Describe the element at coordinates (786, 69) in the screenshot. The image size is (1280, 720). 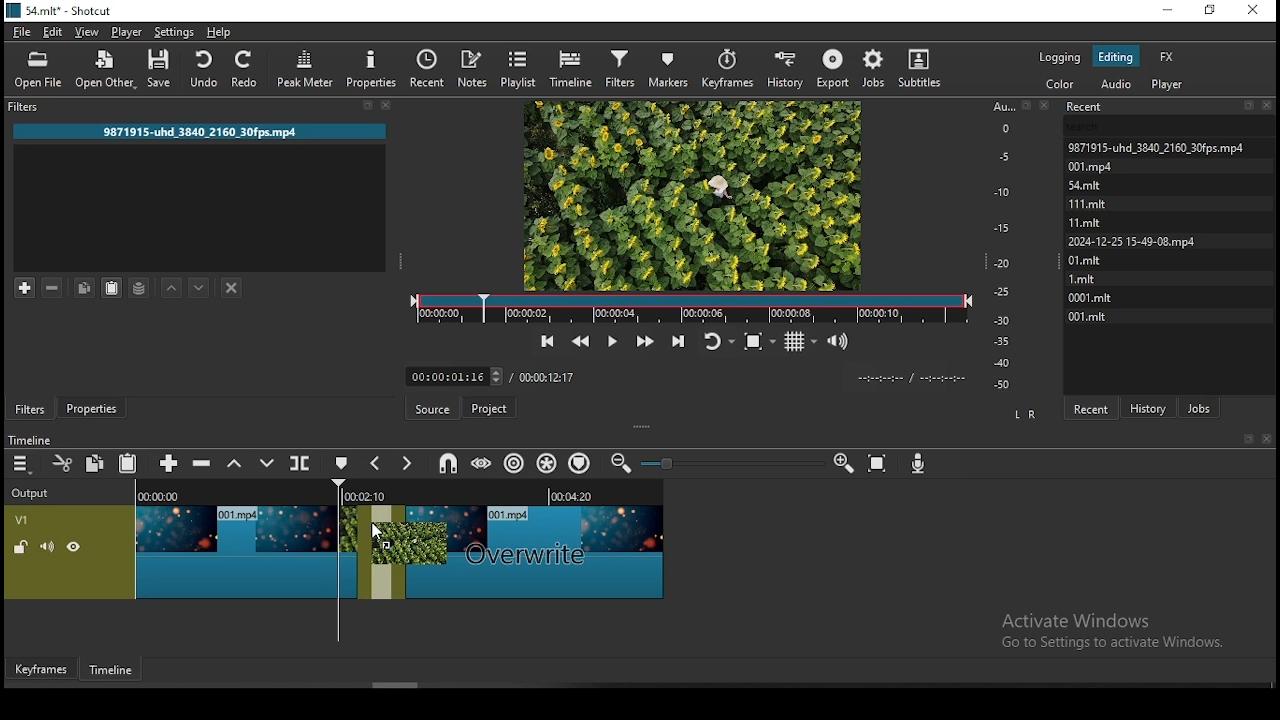
I see `history` at that location.